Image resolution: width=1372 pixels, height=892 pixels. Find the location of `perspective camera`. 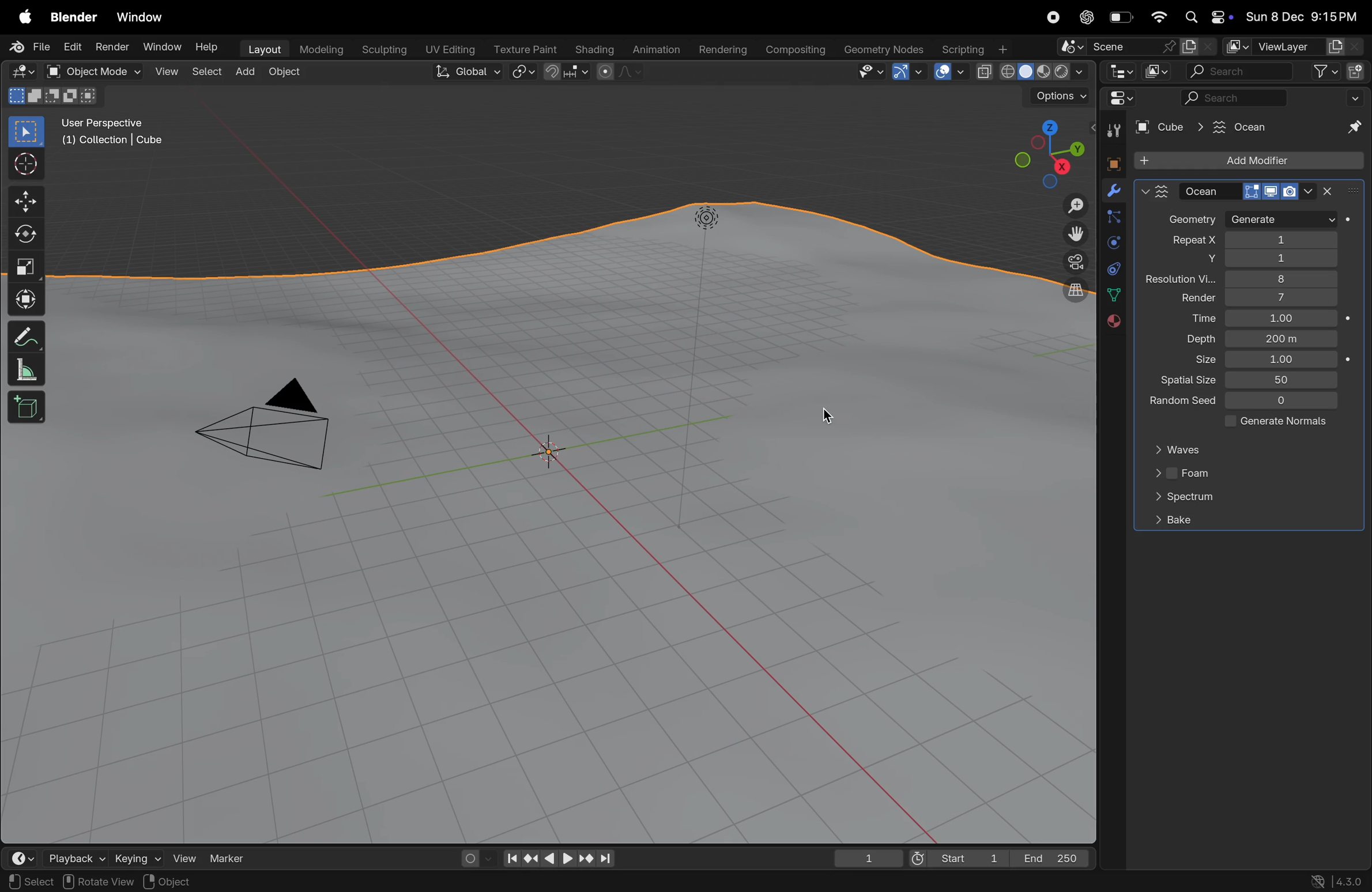

perspective camera is located at coordinates (275, 429).